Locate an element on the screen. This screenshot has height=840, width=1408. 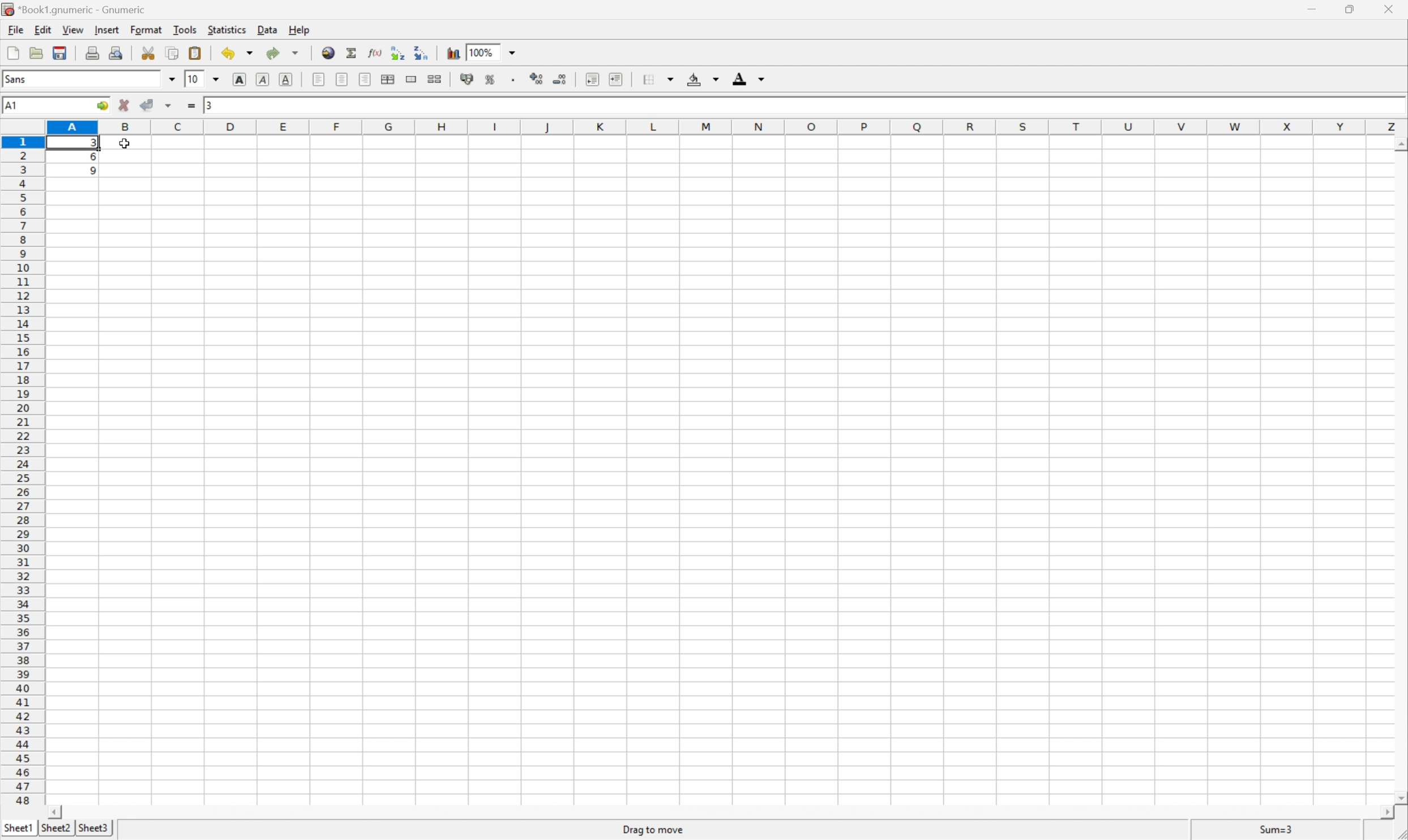
View is located at coordinates (71, 29).